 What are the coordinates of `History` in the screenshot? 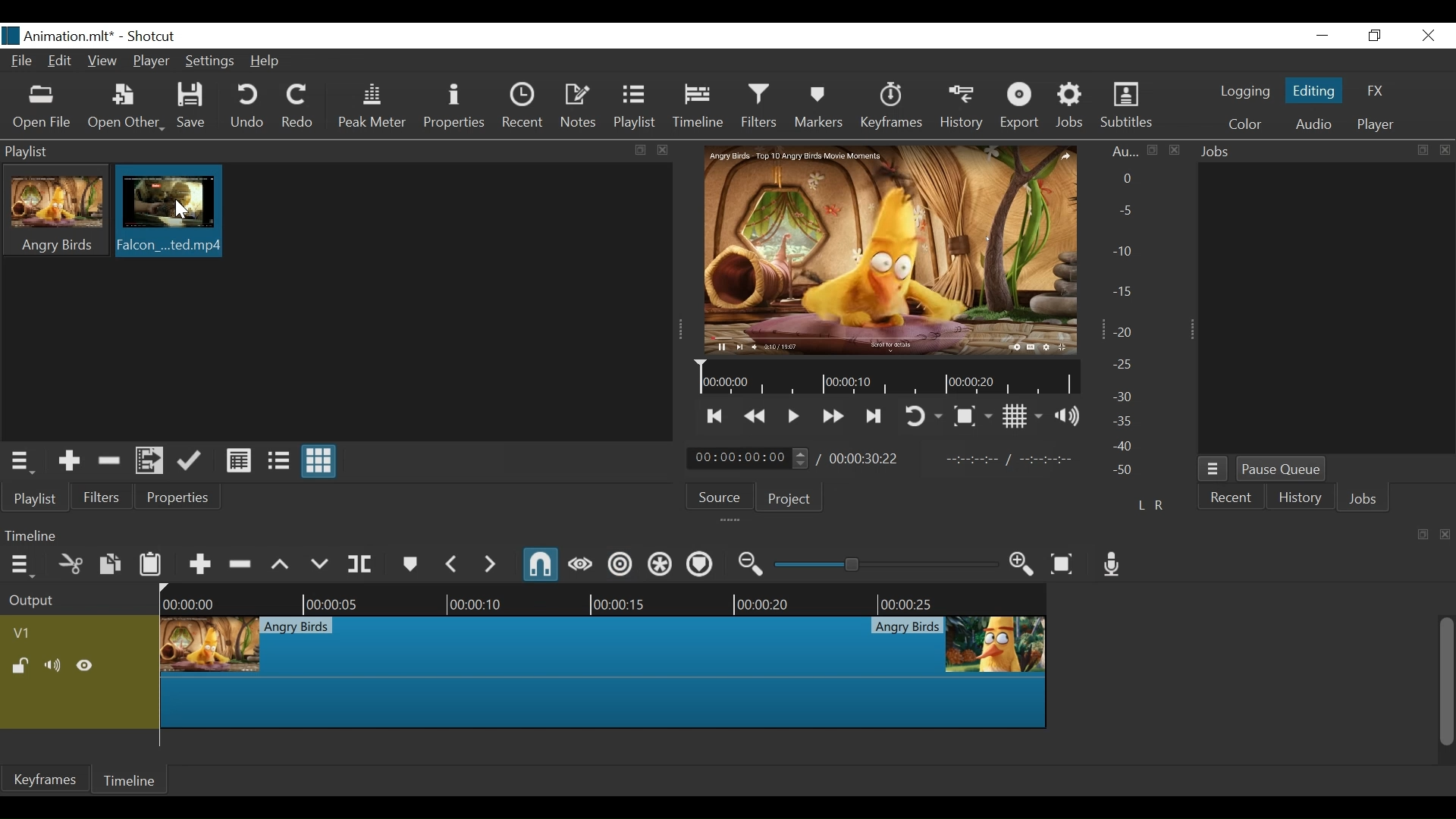 It's located at (962, 108).